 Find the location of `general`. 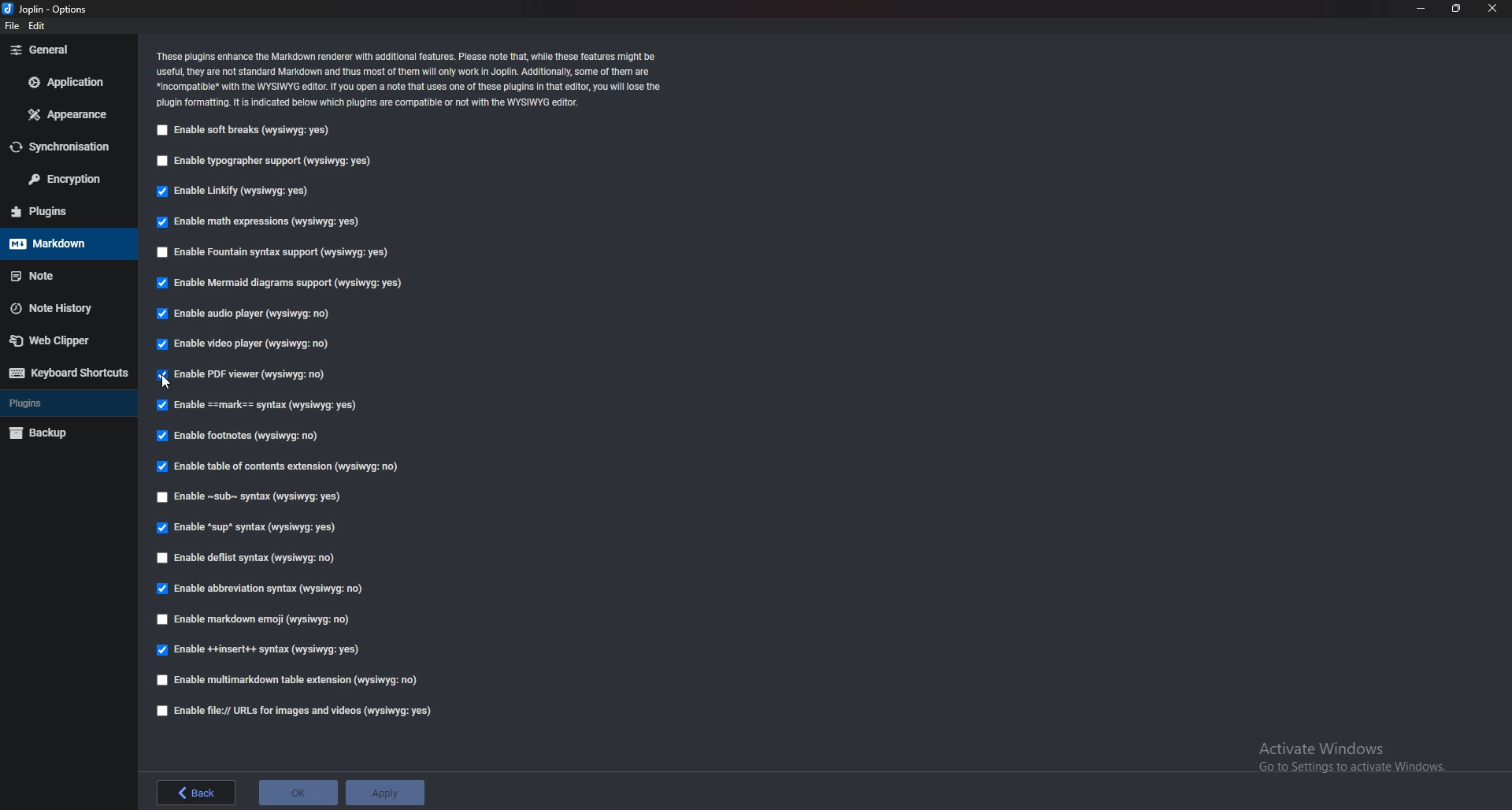

general is located at coordinates (66, 50).